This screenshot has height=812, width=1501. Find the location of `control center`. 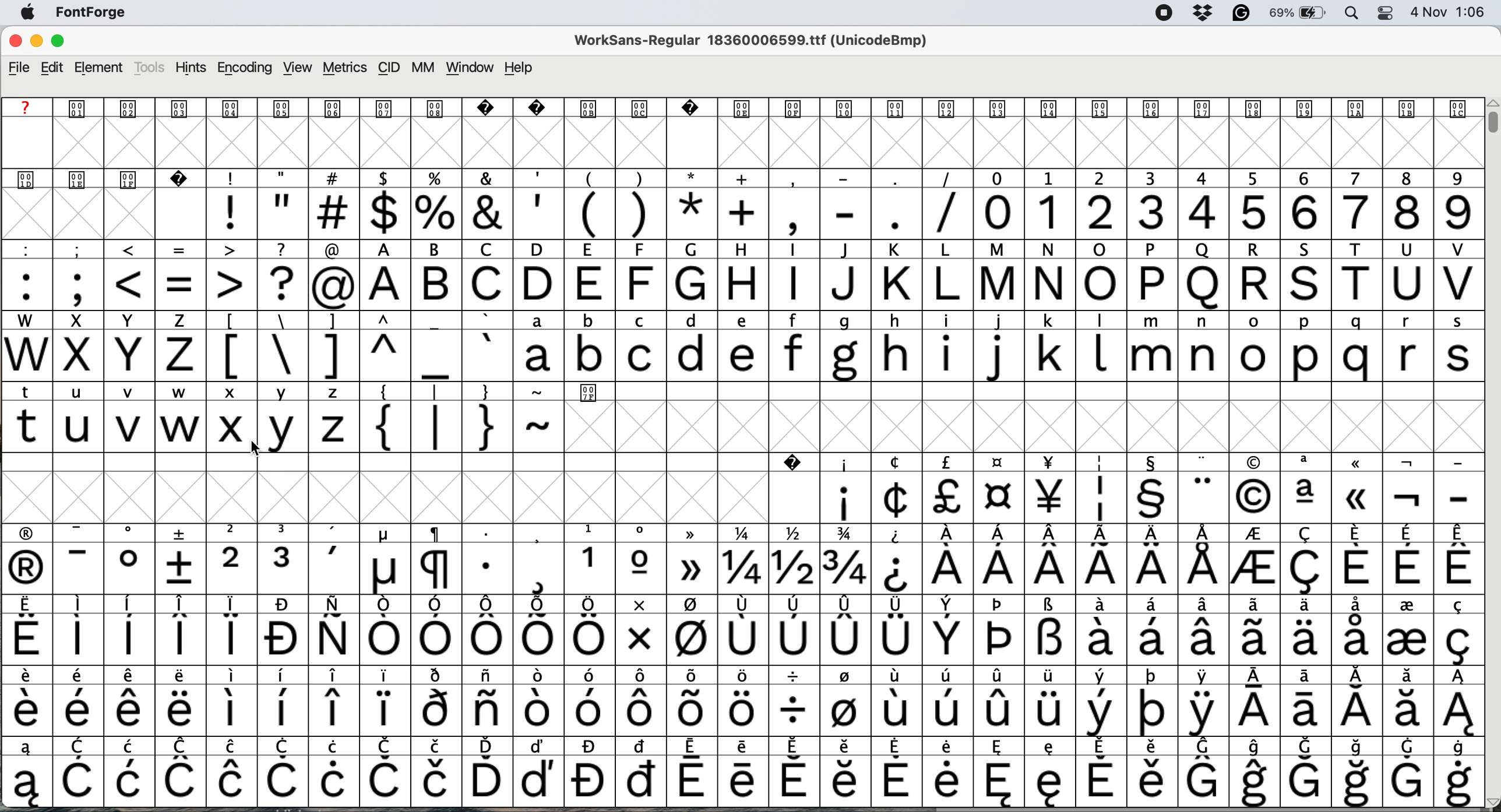

control center is located at coordinates (1383, 12).